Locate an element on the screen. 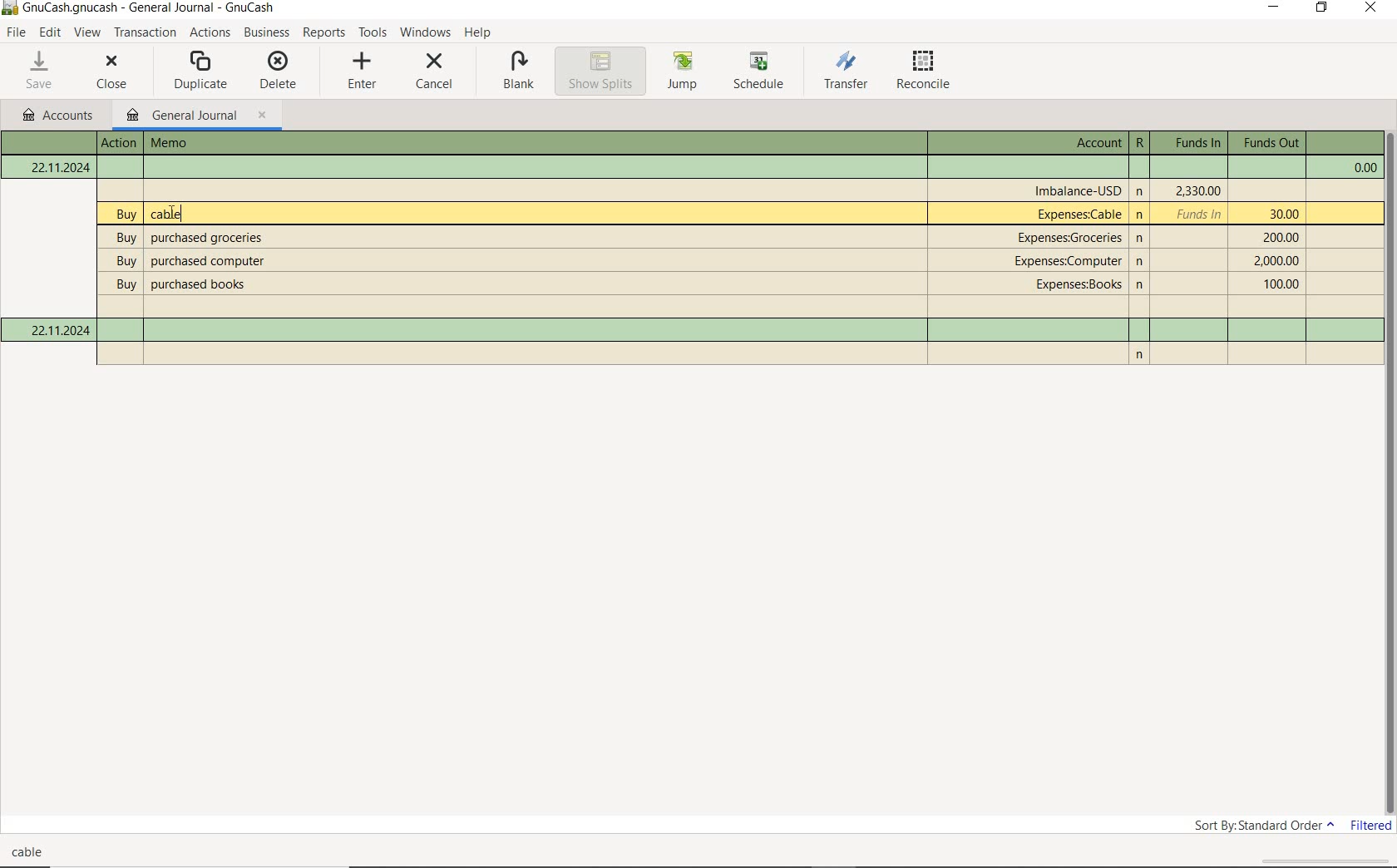  Text is located at coordinates (120, 143).